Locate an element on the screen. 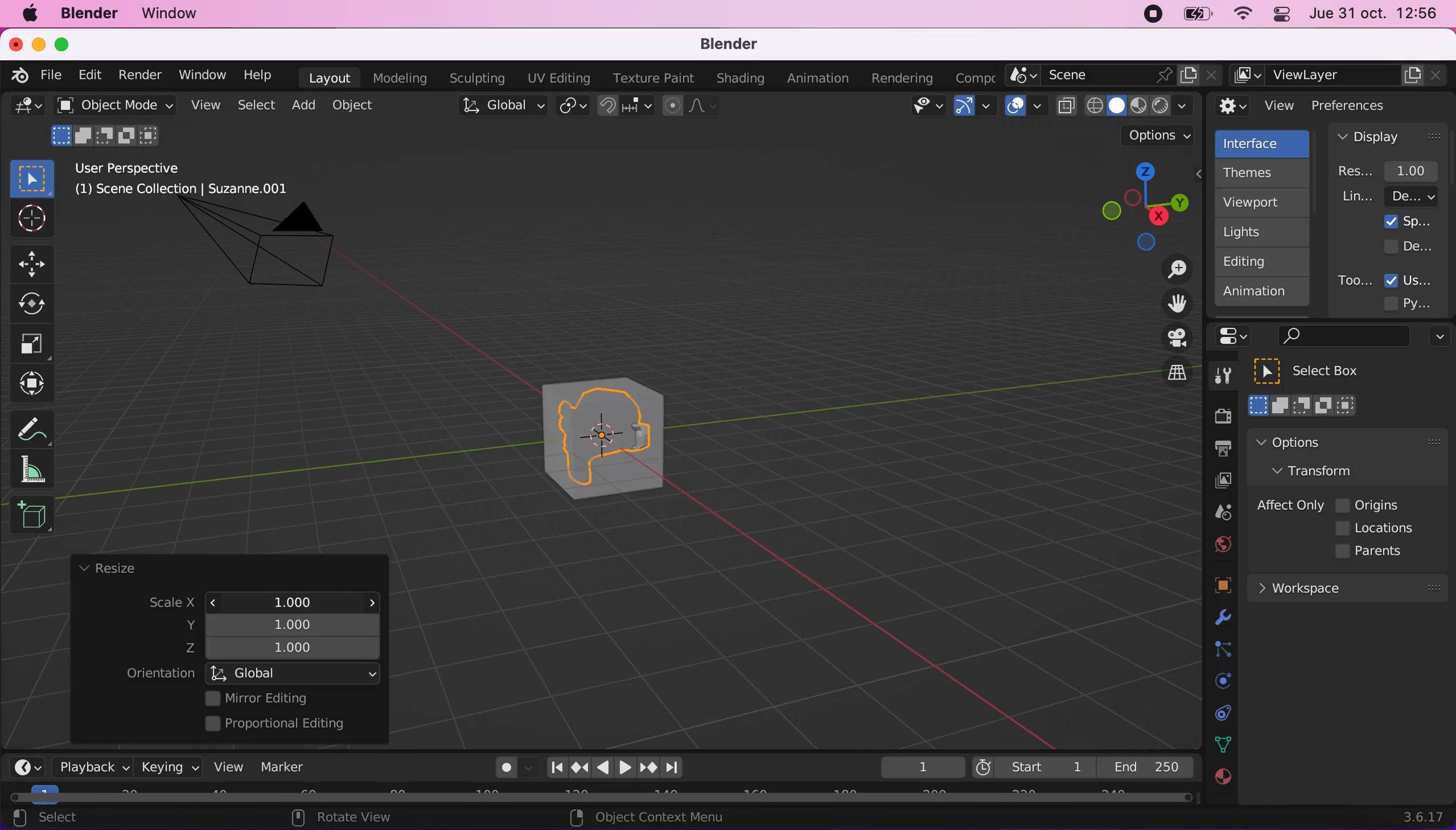 The image size is (1456, 830). blender is located at coordinates (721, 45).